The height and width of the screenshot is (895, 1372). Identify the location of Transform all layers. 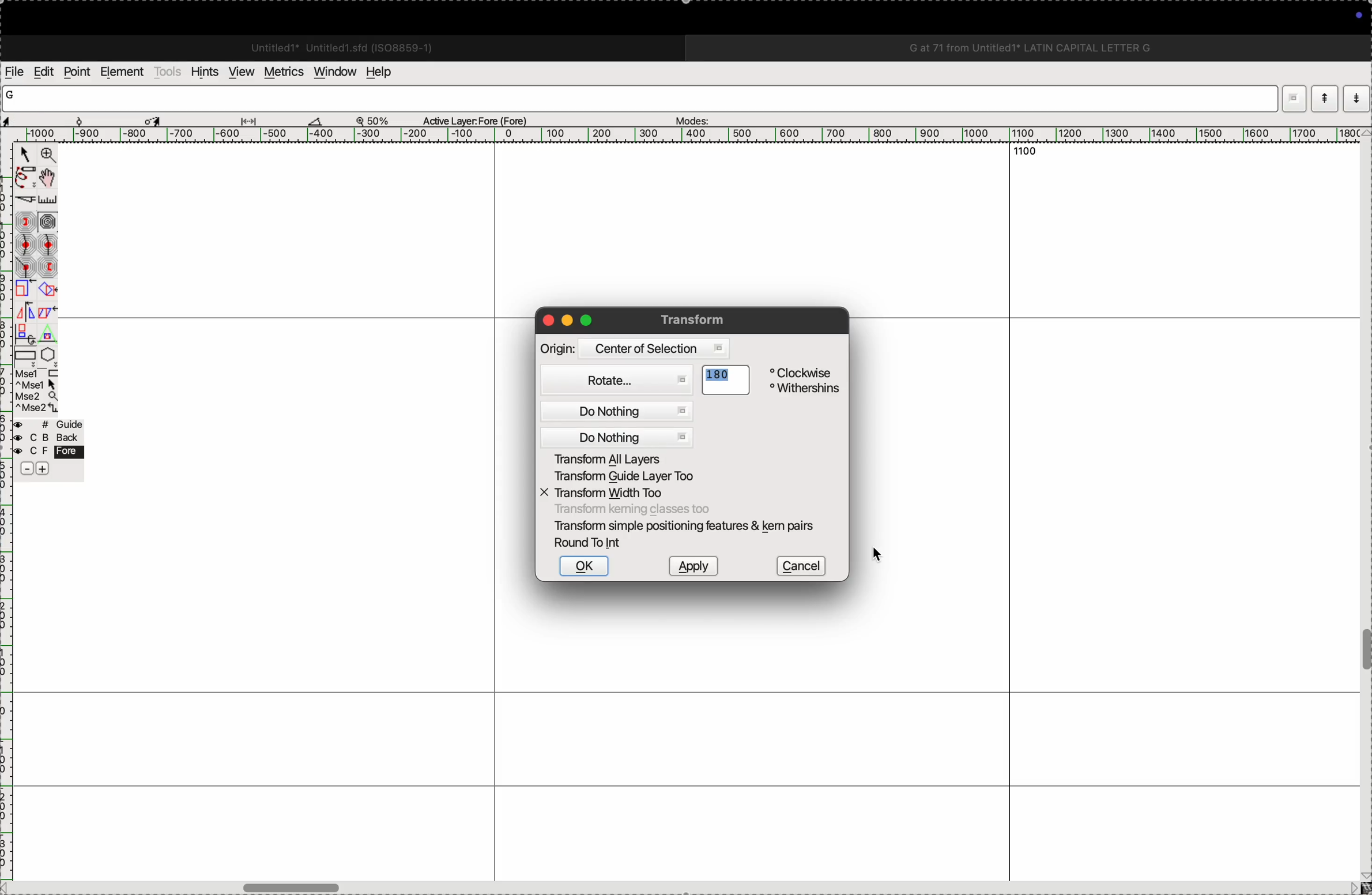
(620, 459).